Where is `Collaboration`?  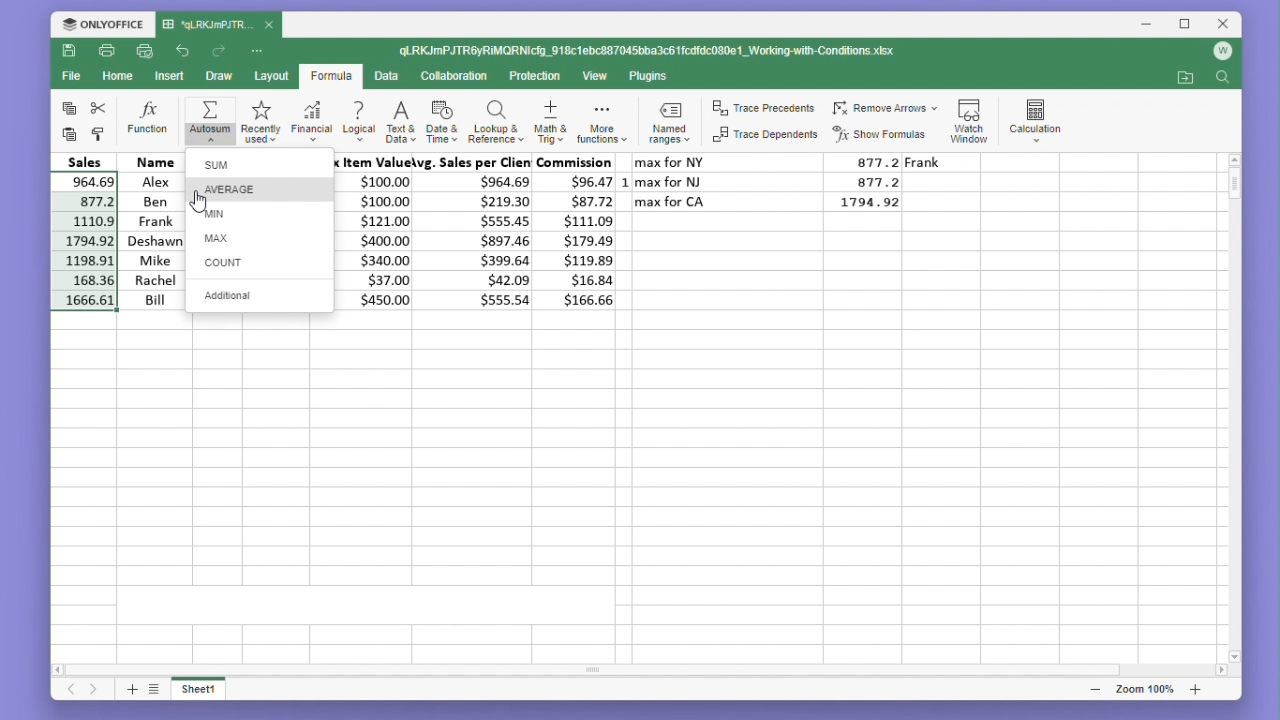
Collaboration is located at coordinates (453, 76).